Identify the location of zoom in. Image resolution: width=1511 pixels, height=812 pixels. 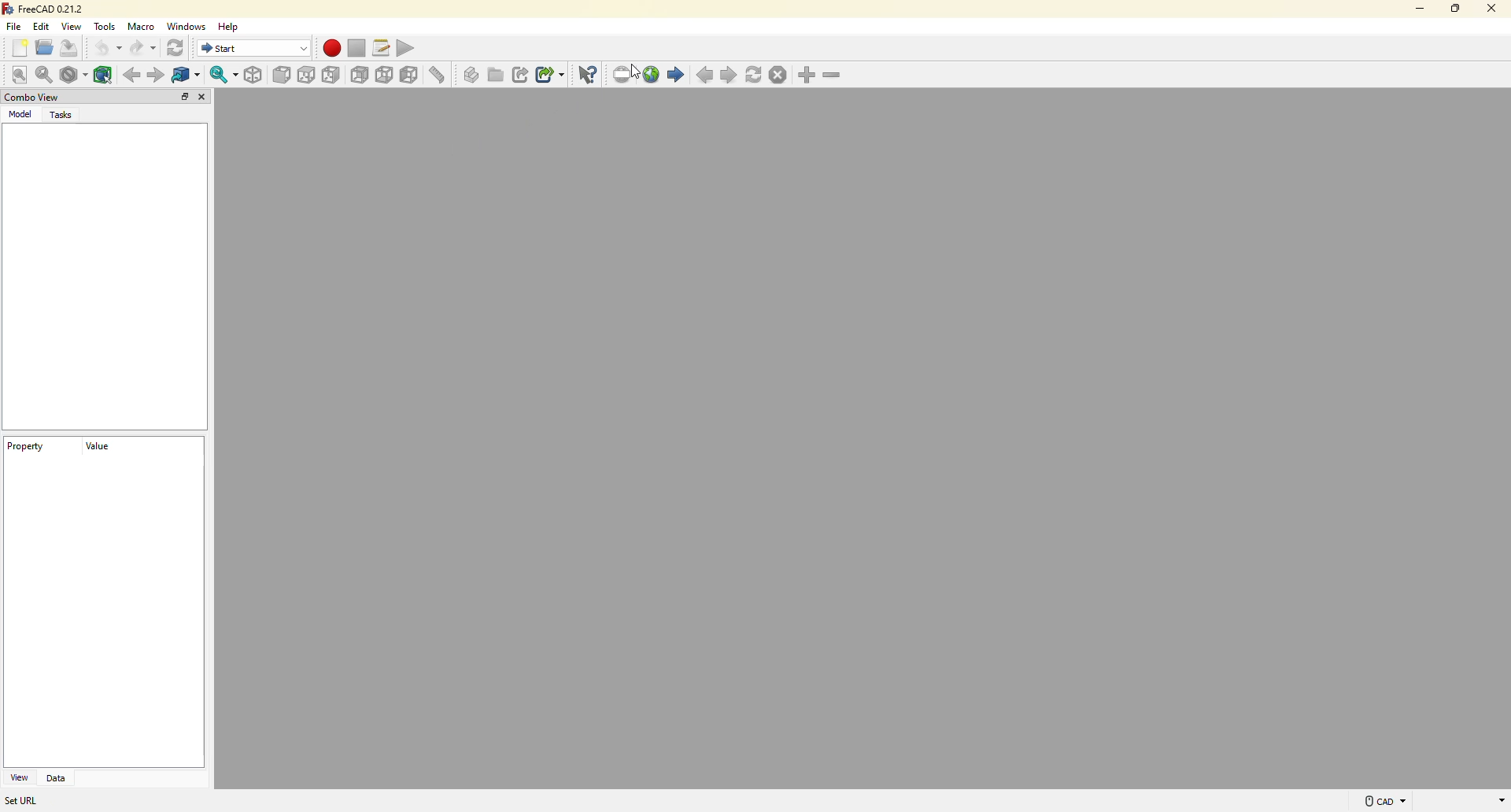
(807, 76).